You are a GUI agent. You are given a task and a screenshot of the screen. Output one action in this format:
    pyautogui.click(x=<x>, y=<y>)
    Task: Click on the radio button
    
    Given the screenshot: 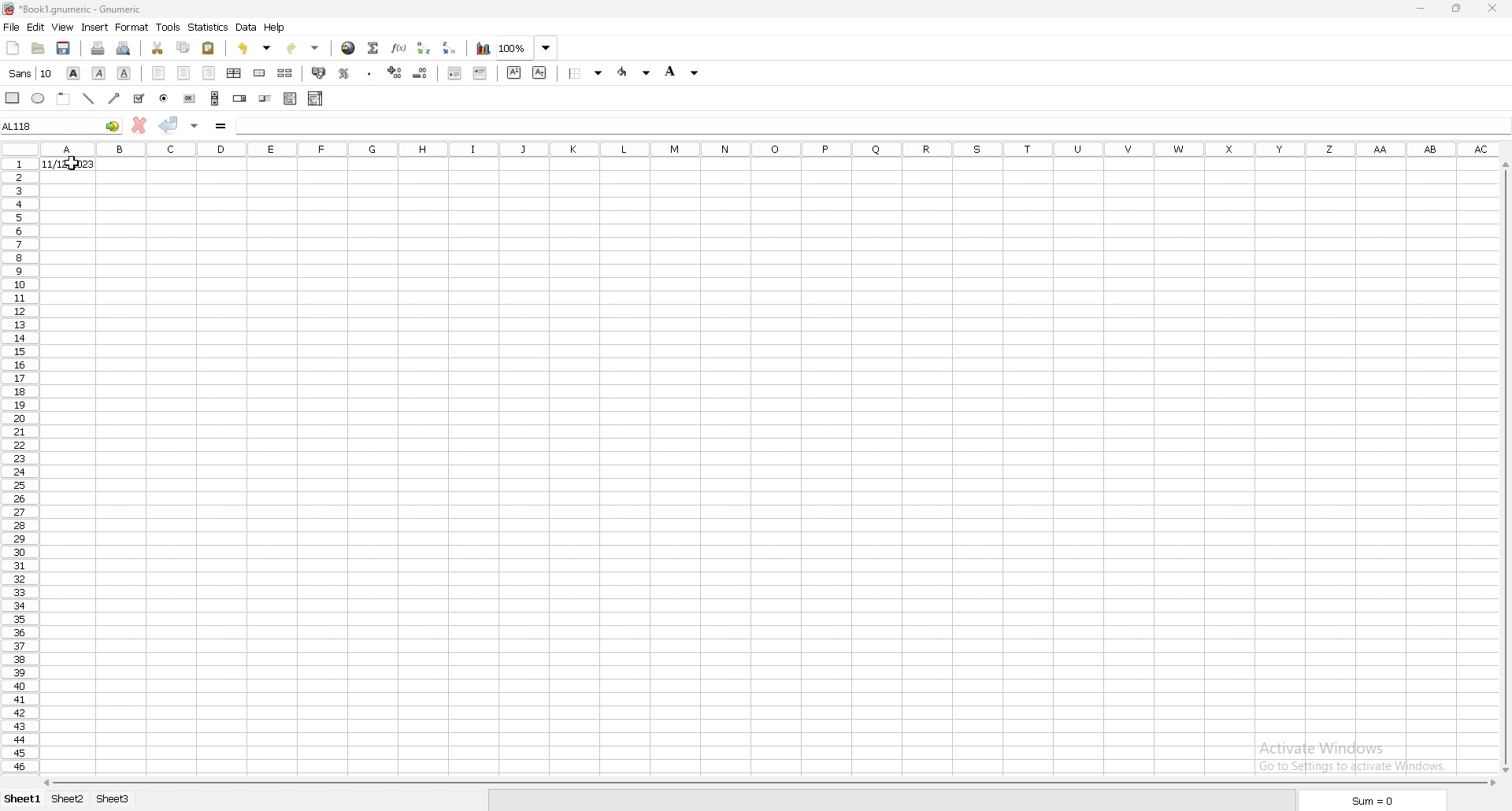 What is the action you would take?
    pyautogui.click(x=165, y=98)
    